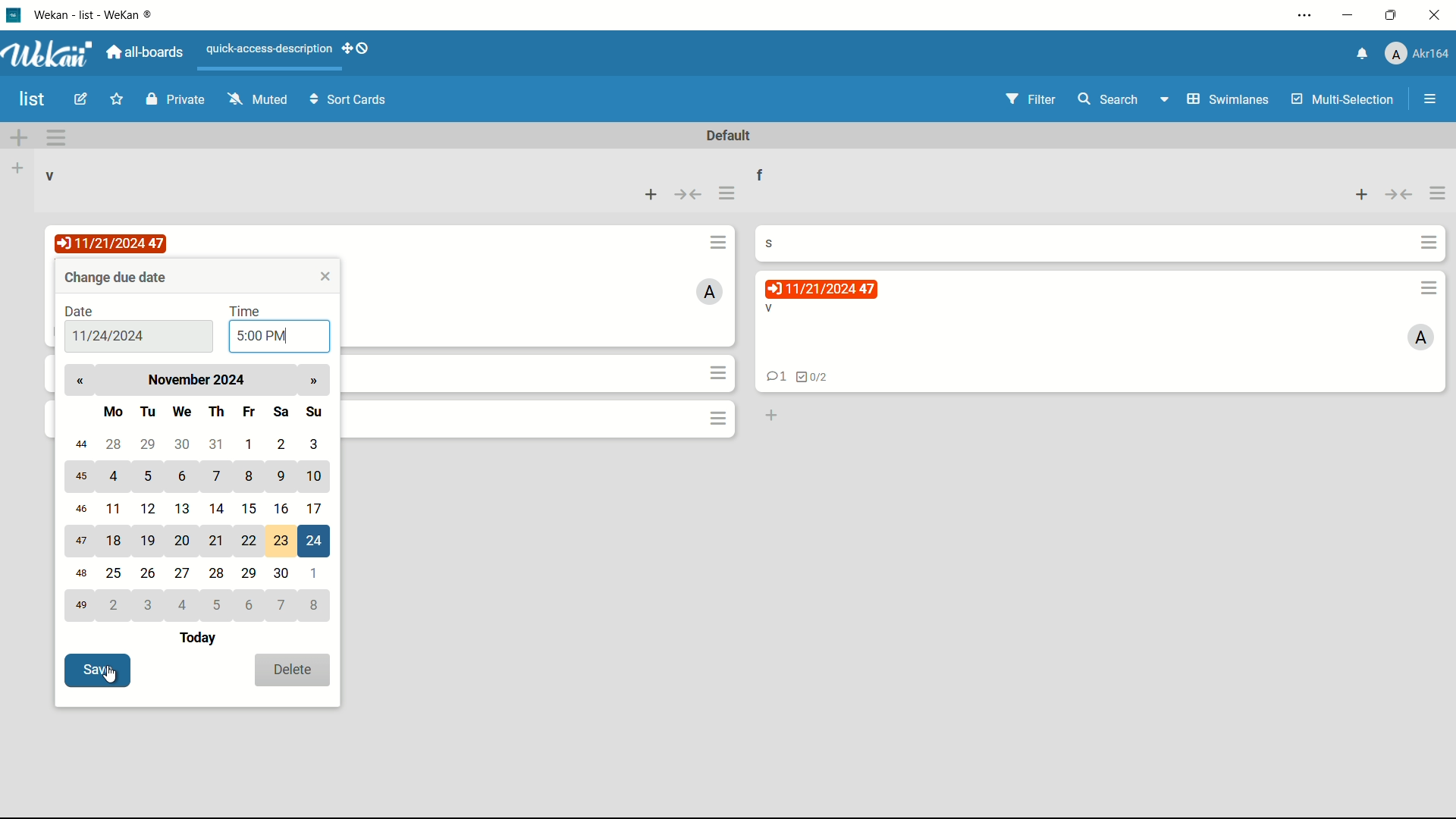 The height and width of the screenshot is (819, 1456). What do you see at coordinates (1216, 99) in the screenshot?
I see `swimlanes` at bounding box center [1216, 99].